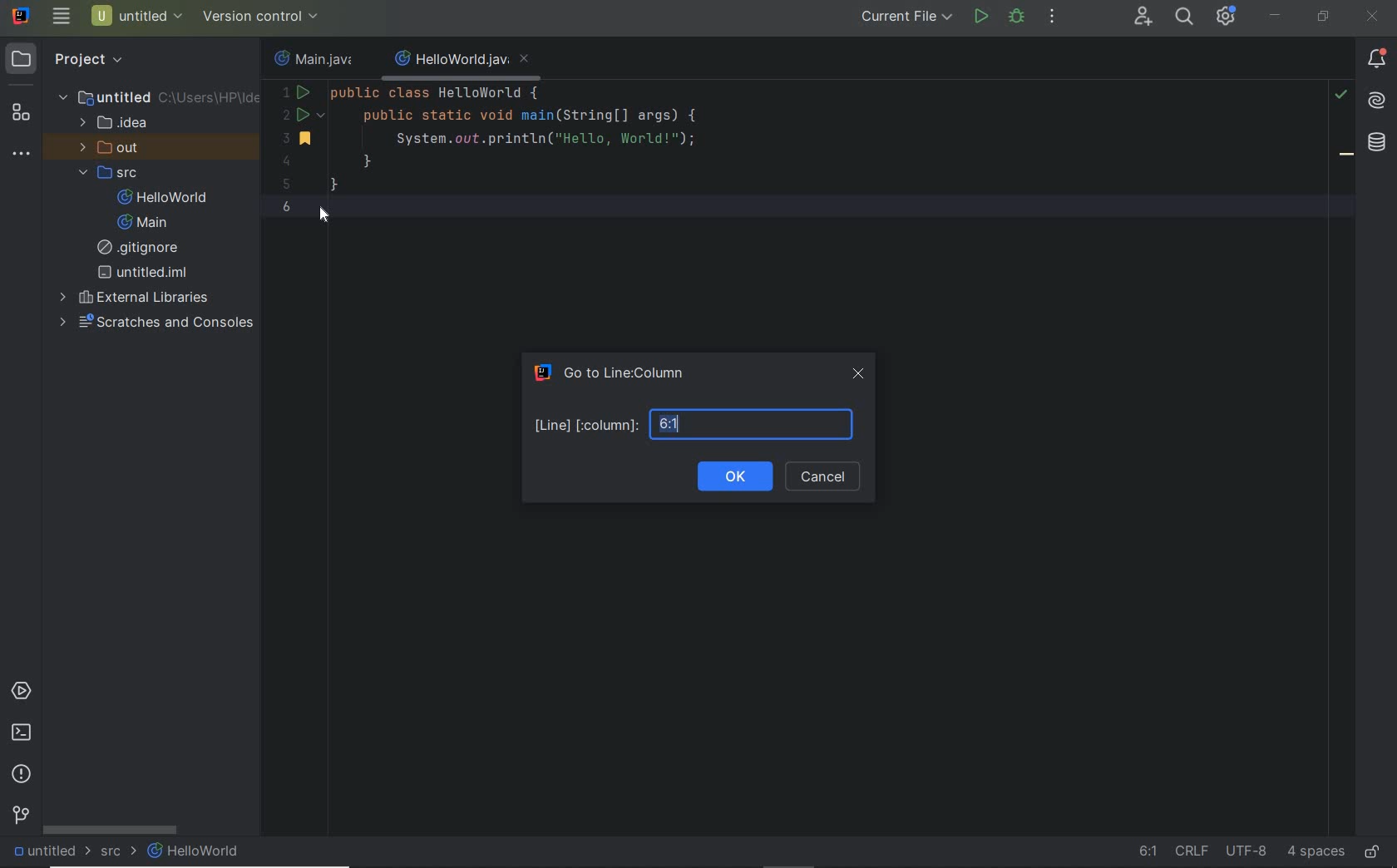 The image size is (1397, 868). Describe the element at coordinates (20, 154) in the screenshot. I see `more tool windows` at that location.